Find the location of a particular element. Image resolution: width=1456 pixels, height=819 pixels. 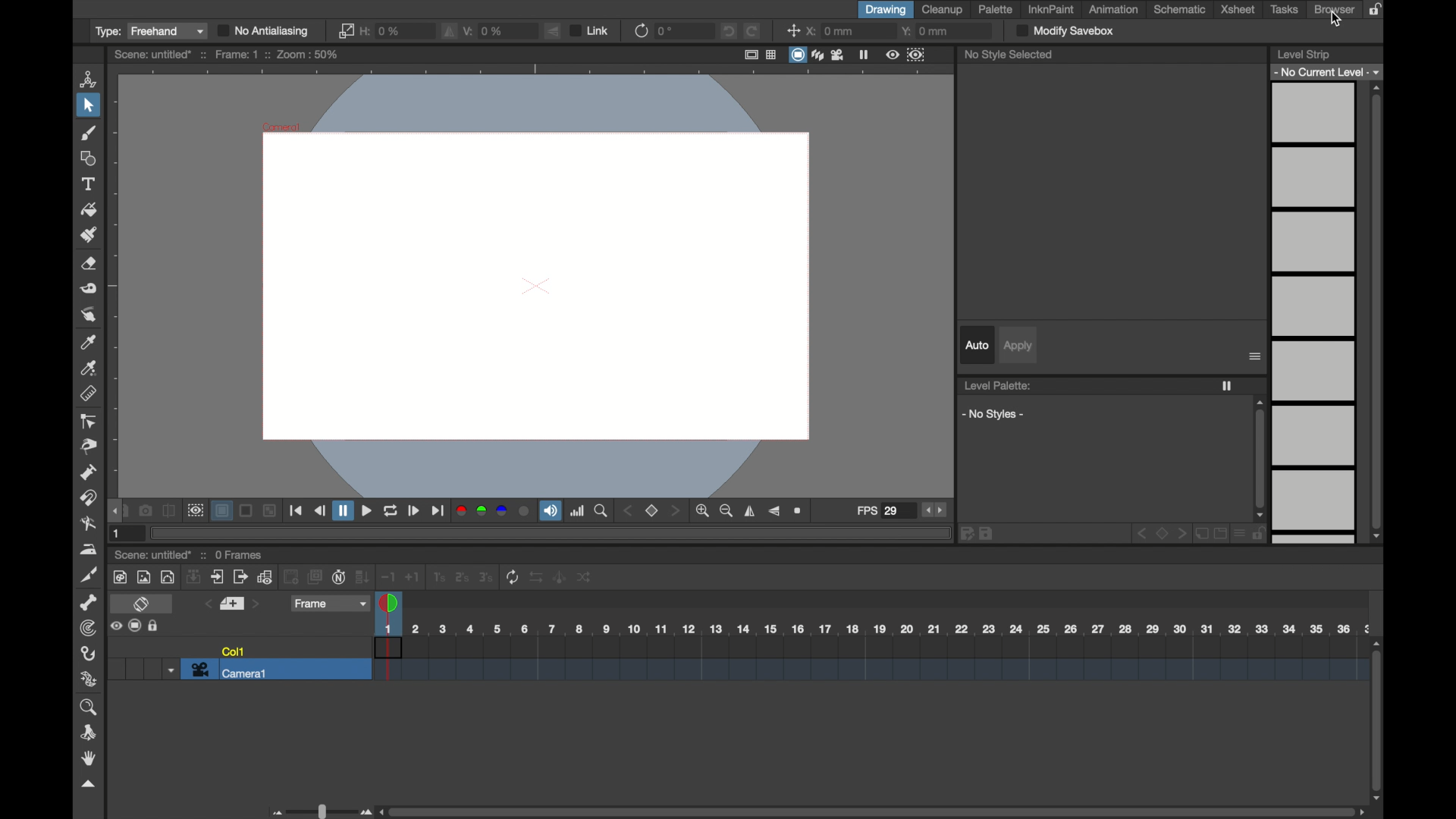

no current level is located at coordinates (1328, 71).